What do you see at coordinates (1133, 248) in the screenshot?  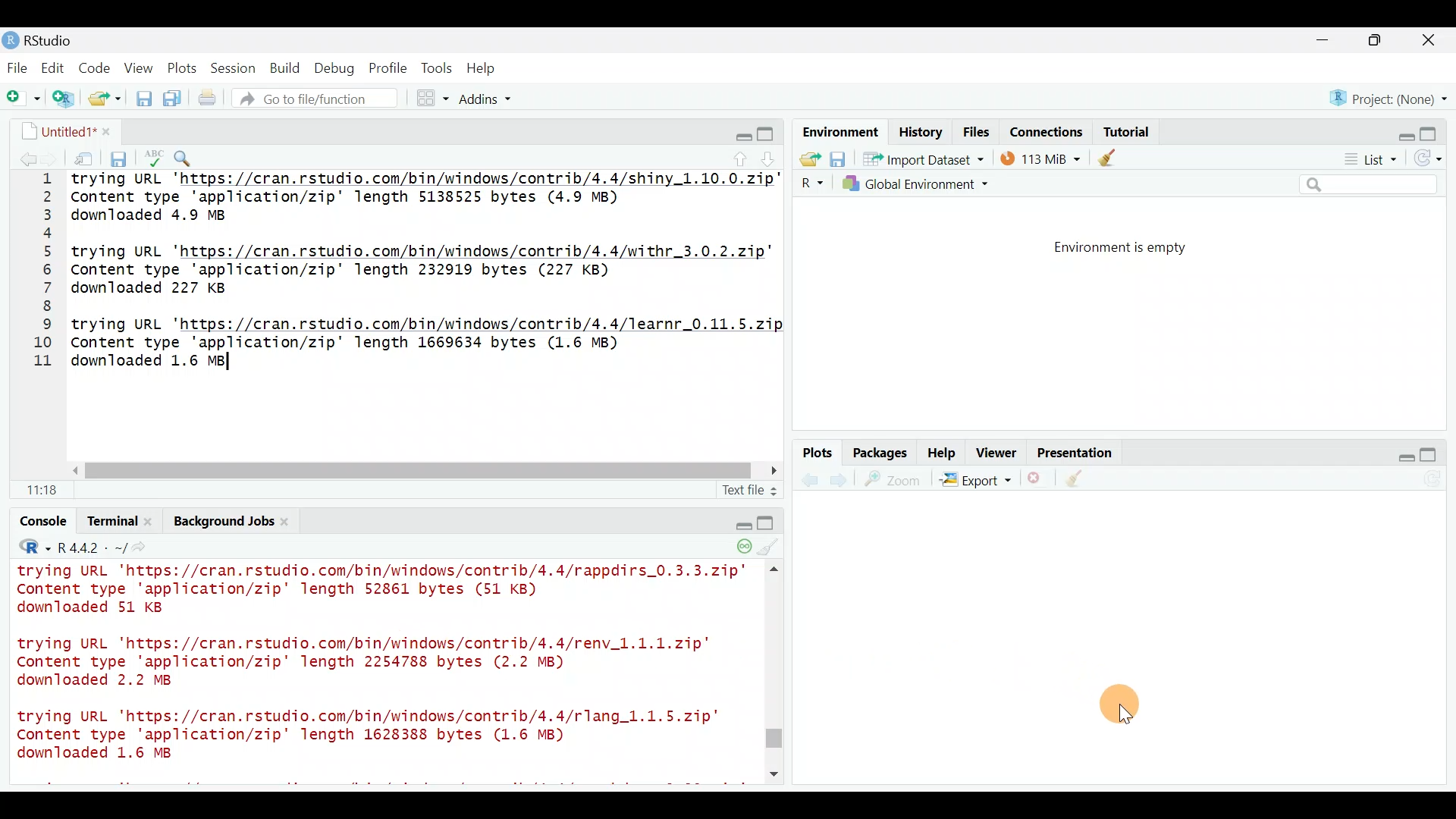 I see `Environment is empty` at bounding box center [1133, 248].